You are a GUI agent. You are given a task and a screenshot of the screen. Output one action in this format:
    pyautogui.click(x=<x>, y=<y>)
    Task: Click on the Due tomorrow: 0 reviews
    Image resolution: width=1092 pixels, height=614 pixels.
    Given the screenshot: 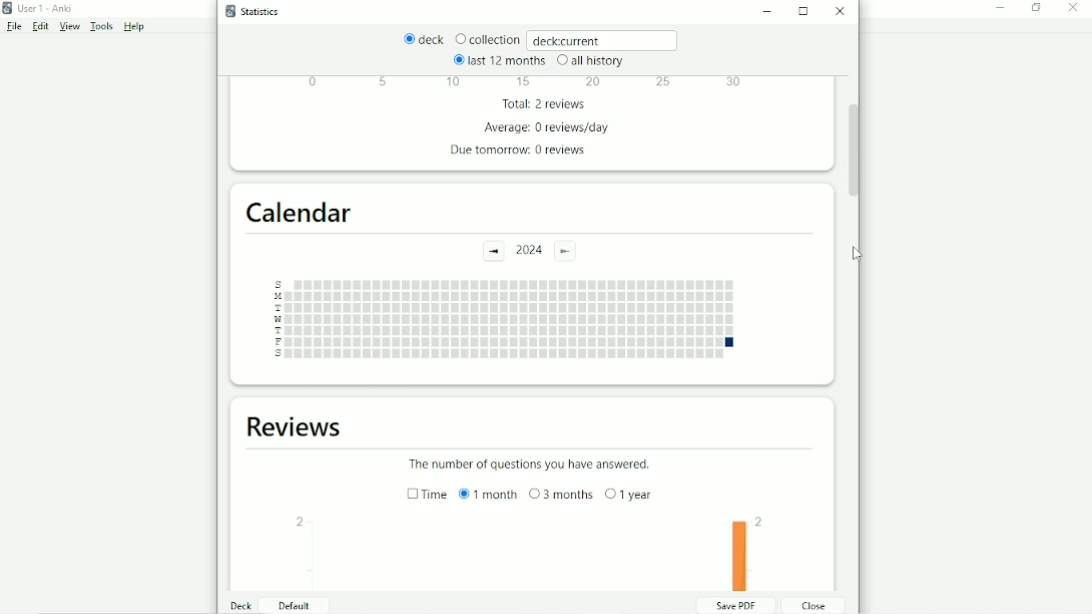 What is the action you would take?
    pyautogui.click(x=530, y=150)
    